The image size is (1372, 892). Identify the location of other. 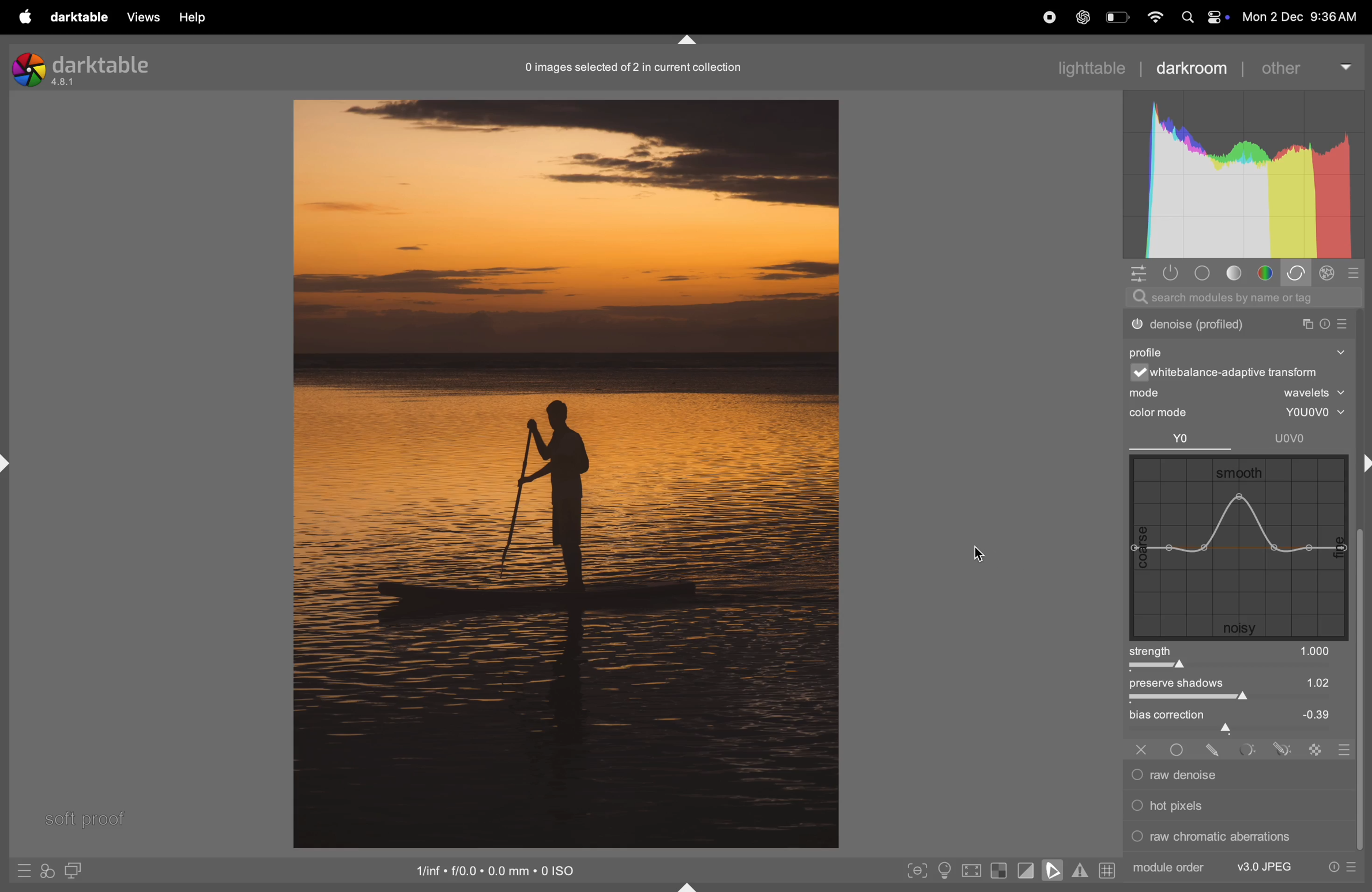
(1309, 65).